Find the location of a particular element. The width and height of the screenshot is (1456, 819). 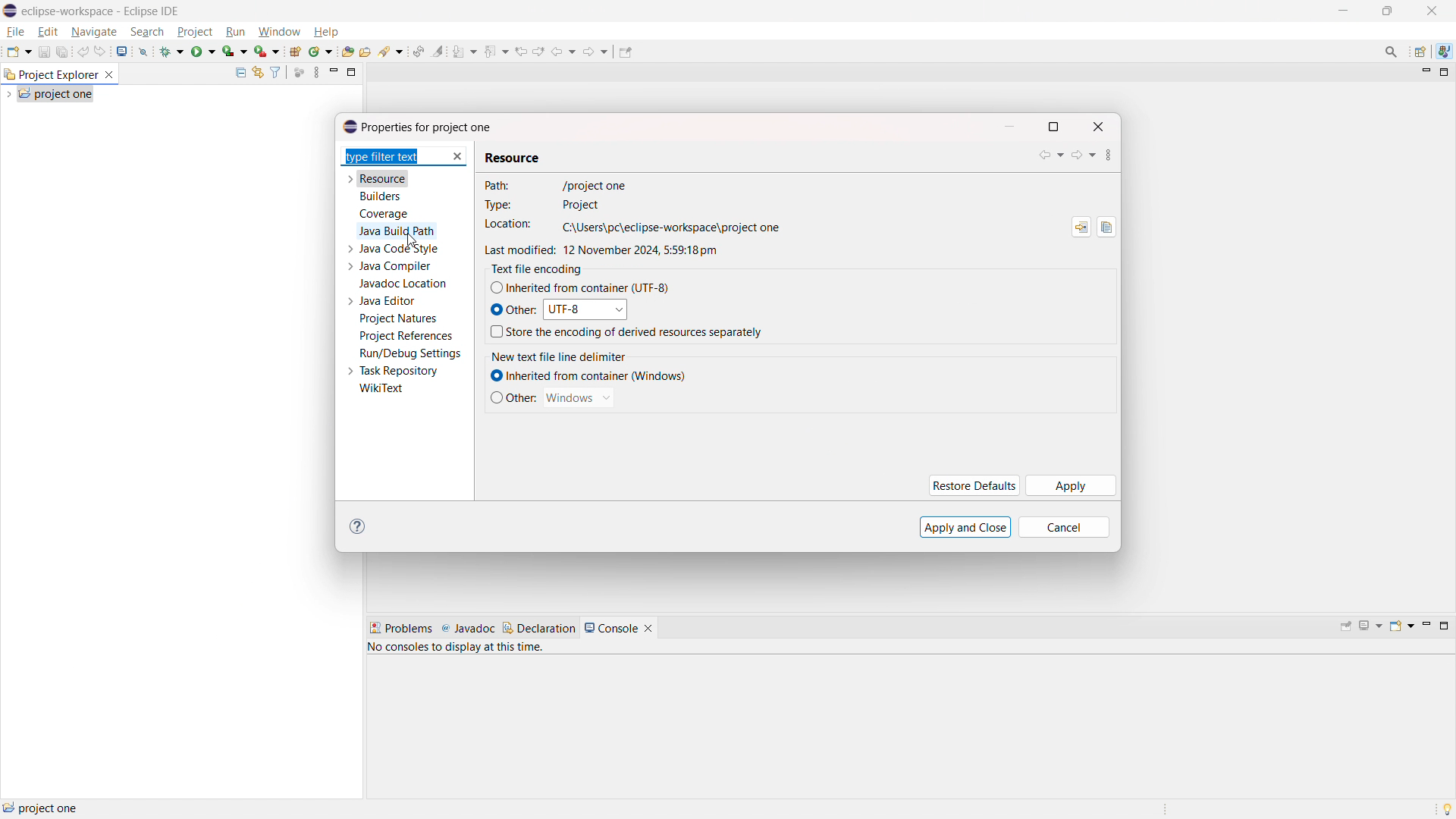

minimize is located at coordinates (334, 72).